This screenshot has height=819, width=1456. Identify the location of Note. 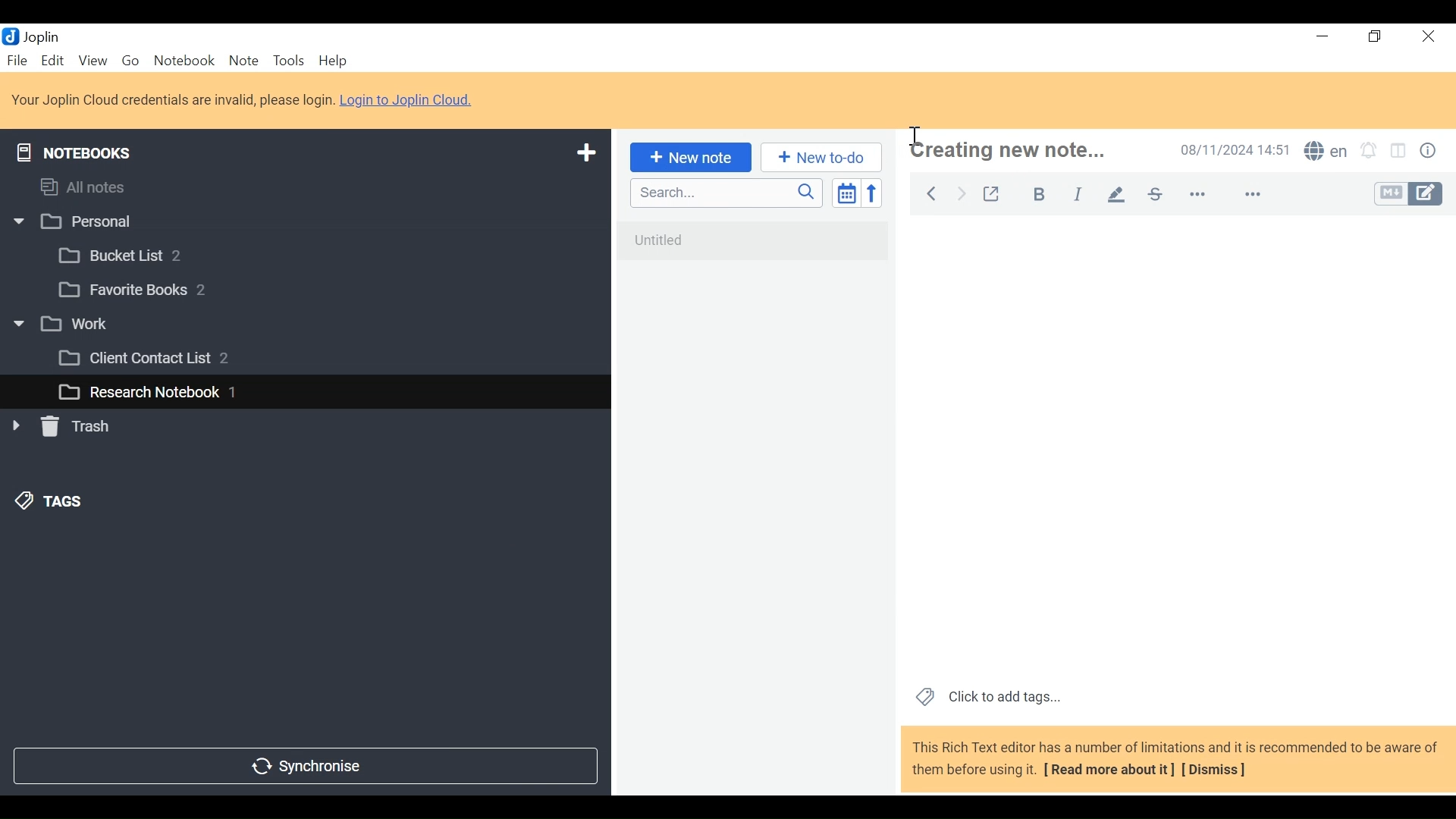
(243, 60).